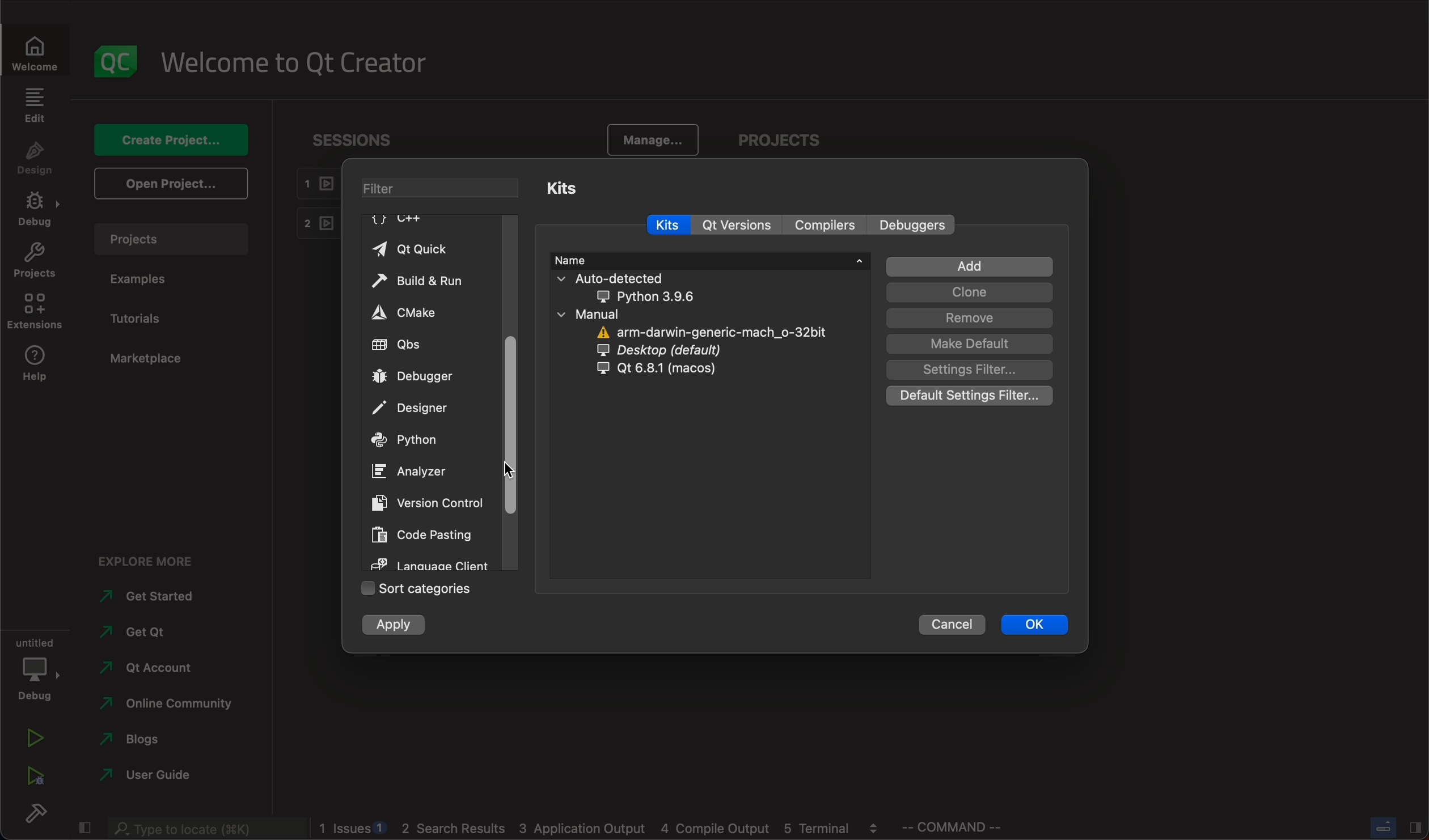 The width and height of the screenshot is (1429, 840). I want to click on projects, so click(171, 239).